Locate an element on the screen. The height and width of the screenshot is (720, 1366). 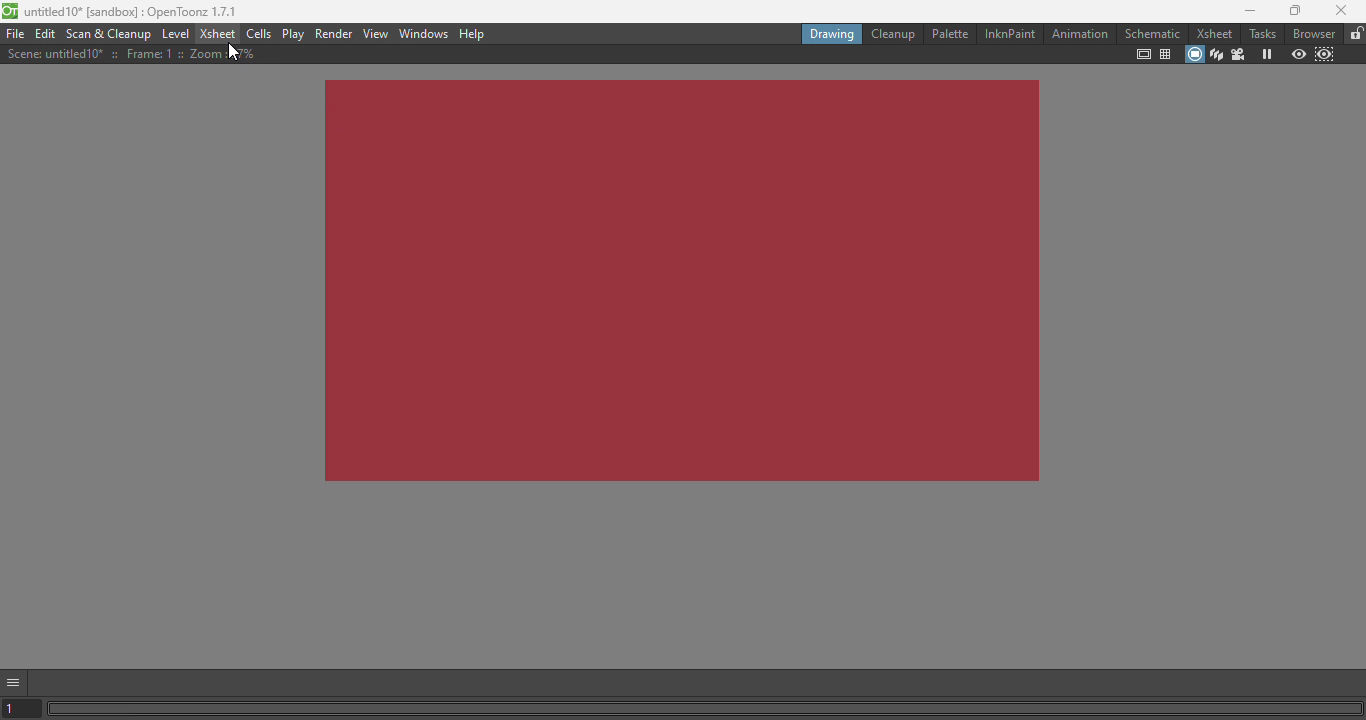
Freeze is located at coordinates (1267, 53).